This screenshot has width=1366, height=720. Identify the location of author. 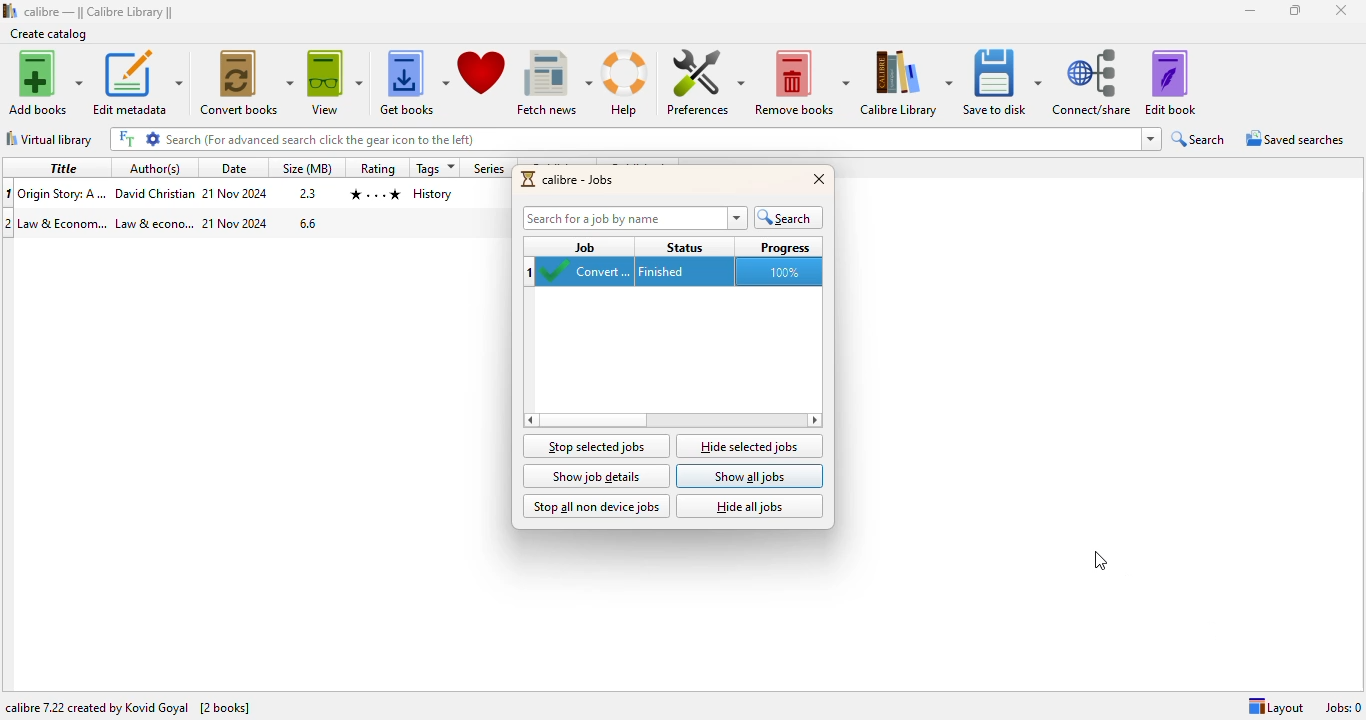
(154, 224).